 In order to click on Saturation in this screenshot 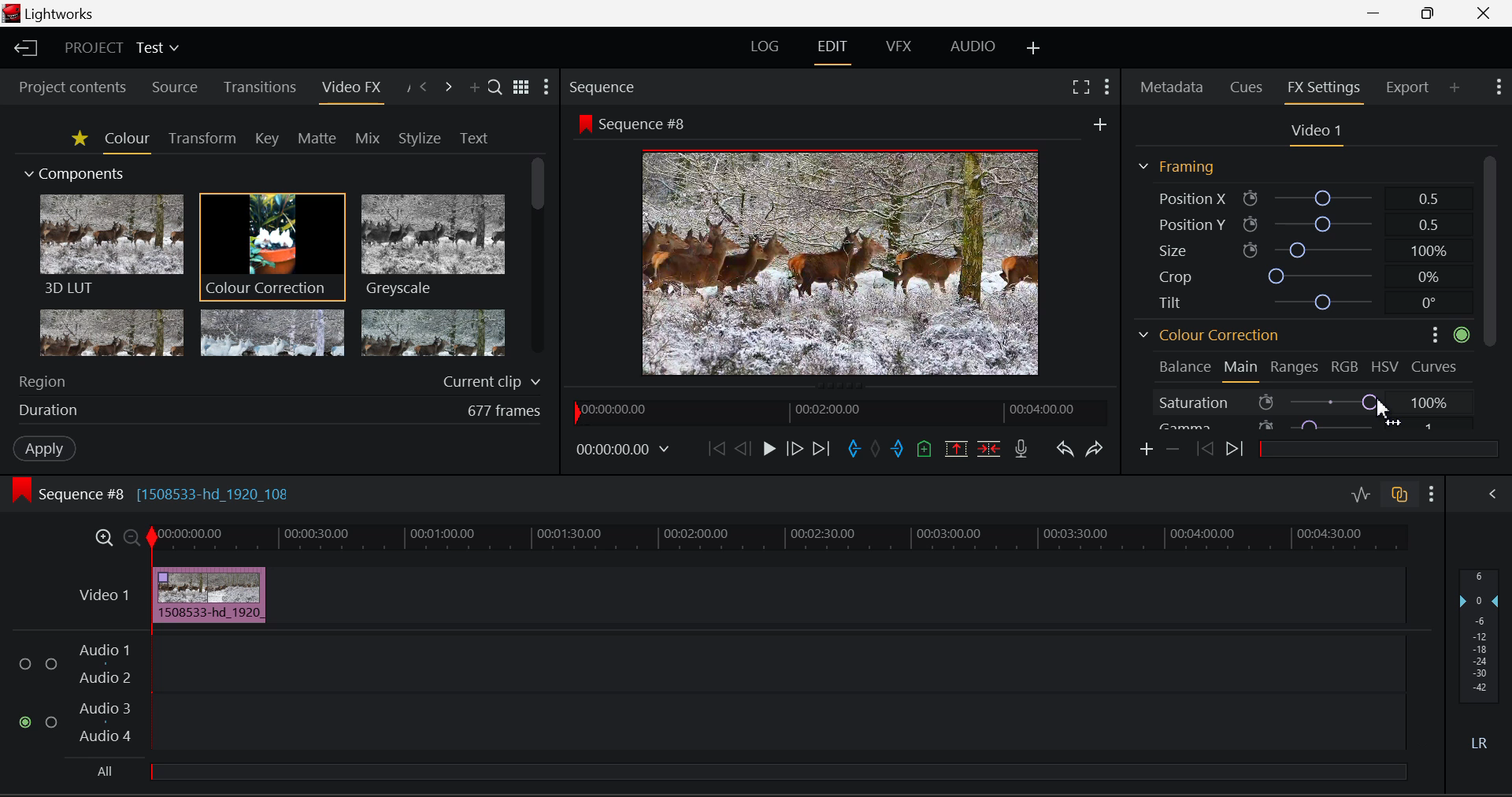, I will do `click(1298, 400)`.